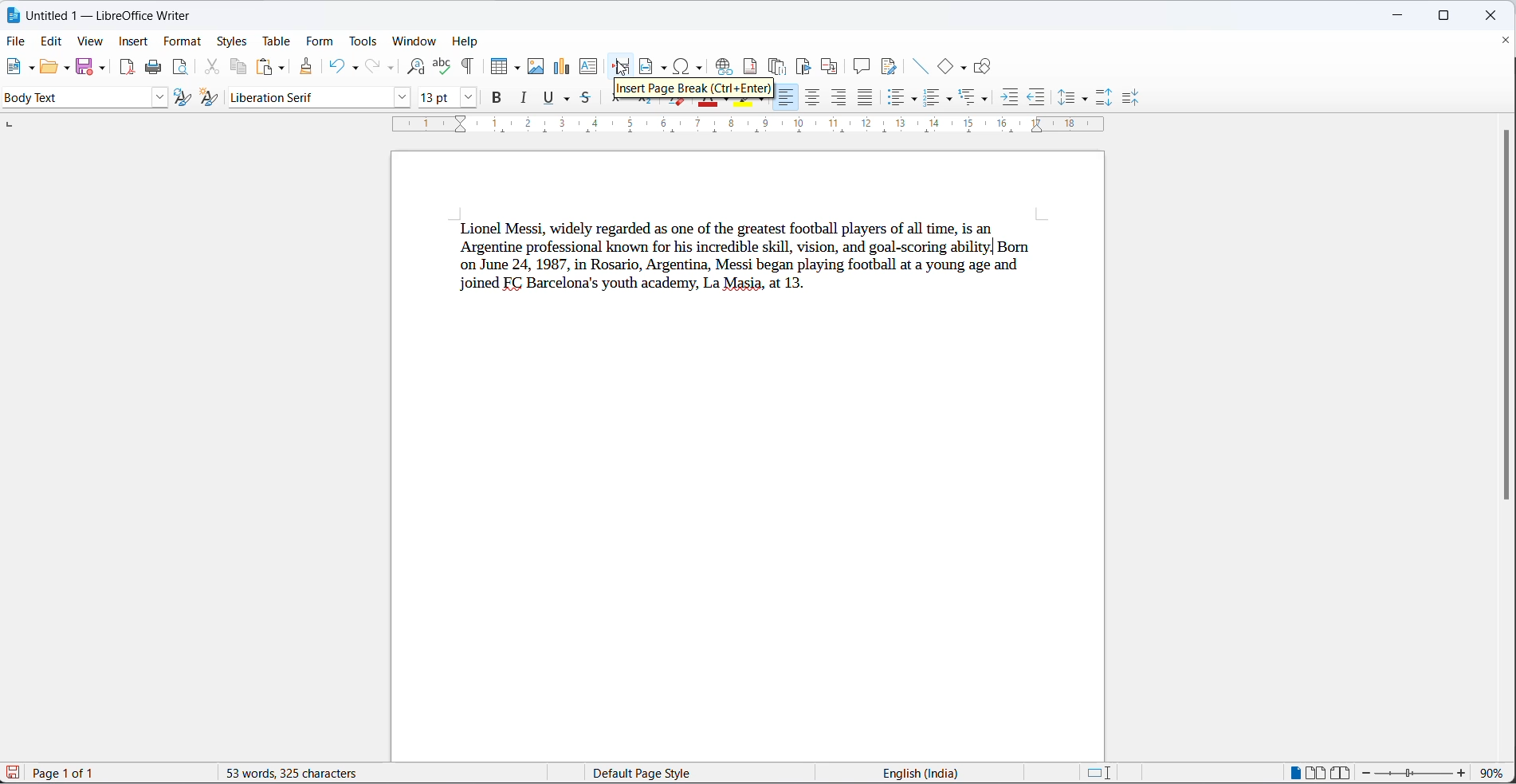 The width and height of the screenshot is (1516, 784). What do you see at coordinates (29, 69) in the screenshot?
I see `new file options` at bounding box center [29, 69].